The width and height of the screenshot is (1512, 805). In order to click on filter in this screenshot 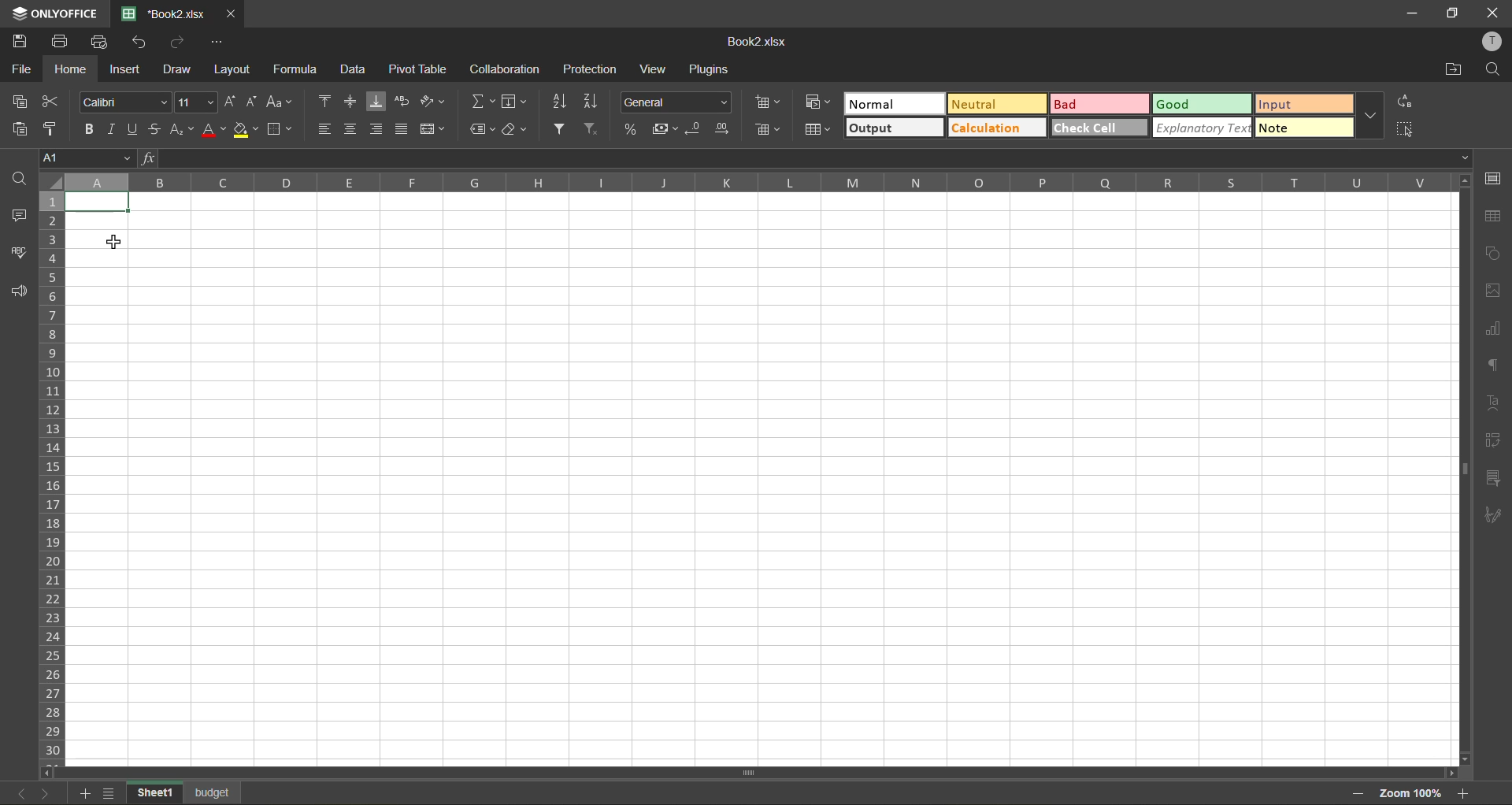, I will do `click(562, 129)`.